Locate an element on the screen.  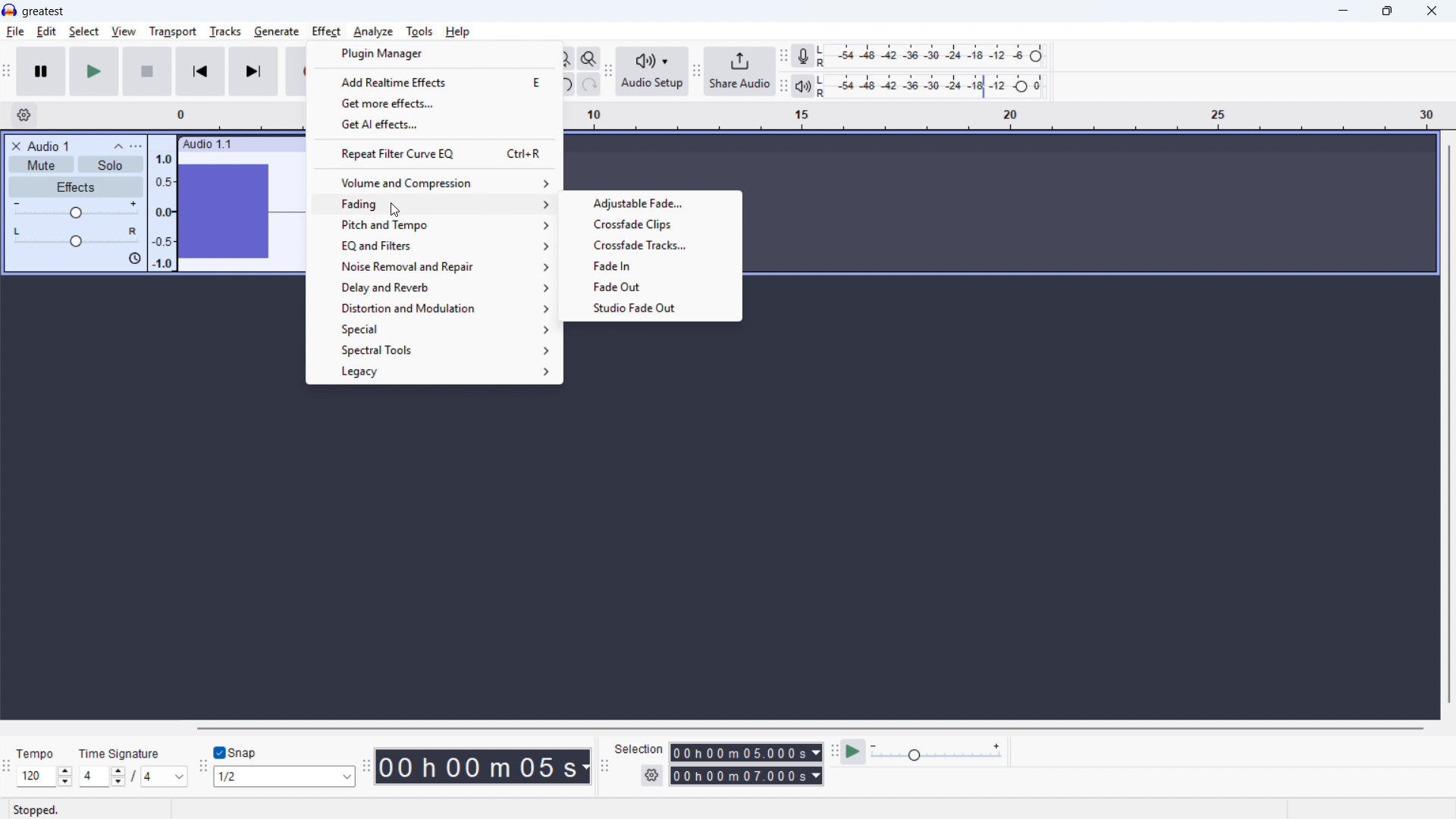
Playback metre  is located at coordinates (802, 86).